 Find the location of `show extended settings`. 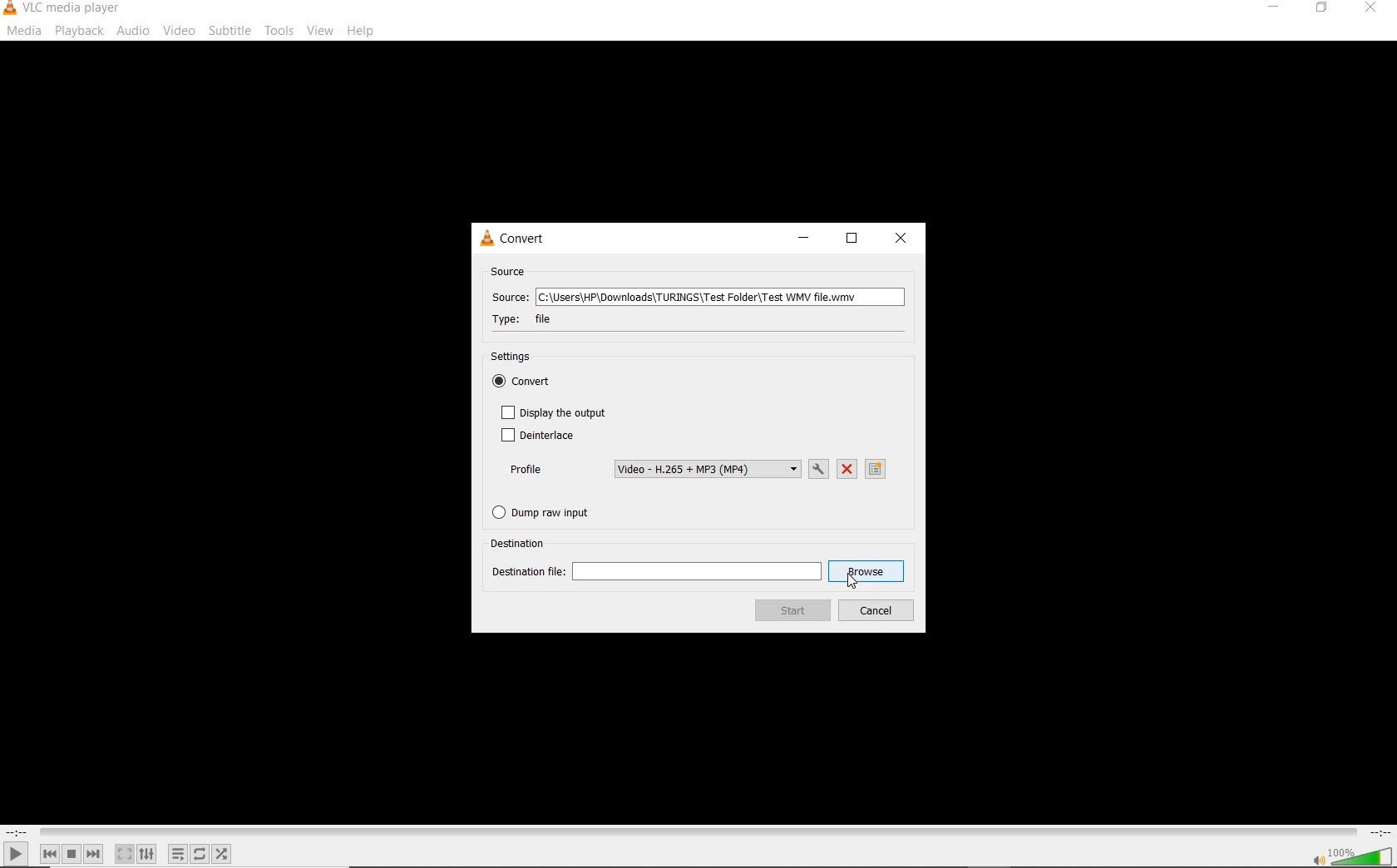

show extended settings is located at coordinates (146, 854).